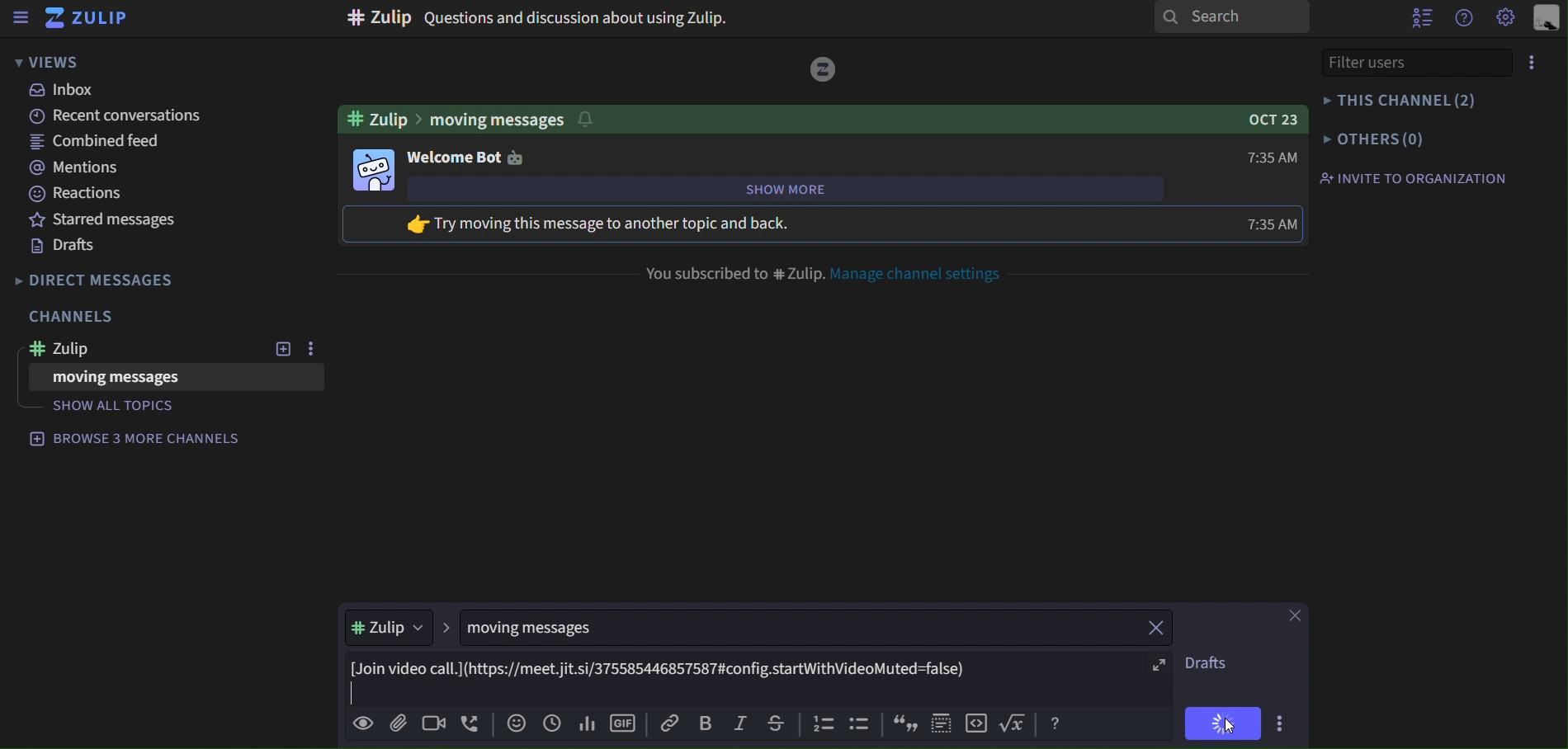  What do you see at coordinates (282, 351) in the screenshot?
I see `add` at bounding box center [282, 351].